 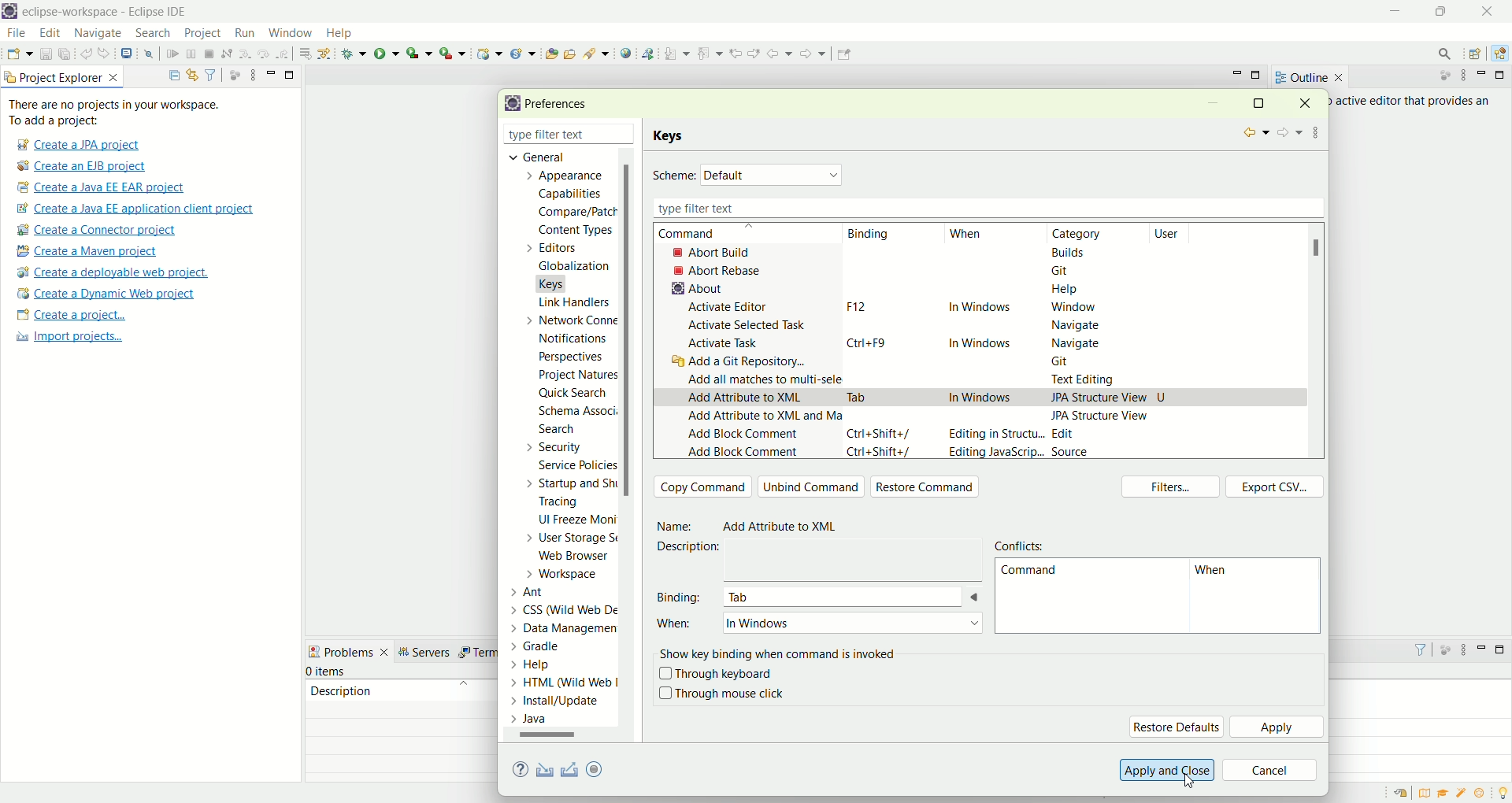 I want to click on startup and shutdown, so click(x=574, y=483).